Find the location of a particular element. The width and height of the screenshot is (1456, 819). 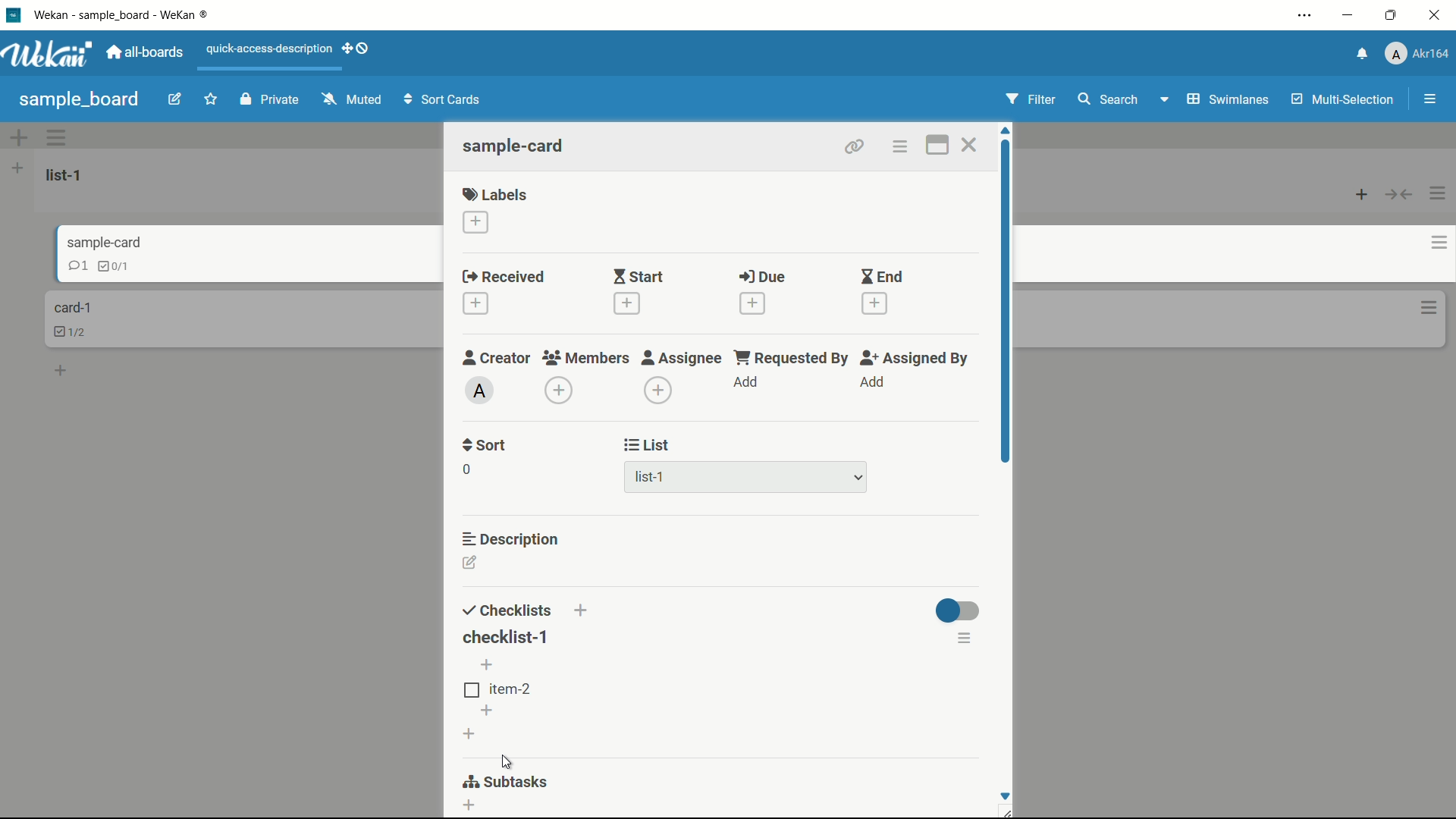

checklists is located at coordinates (508, 611).